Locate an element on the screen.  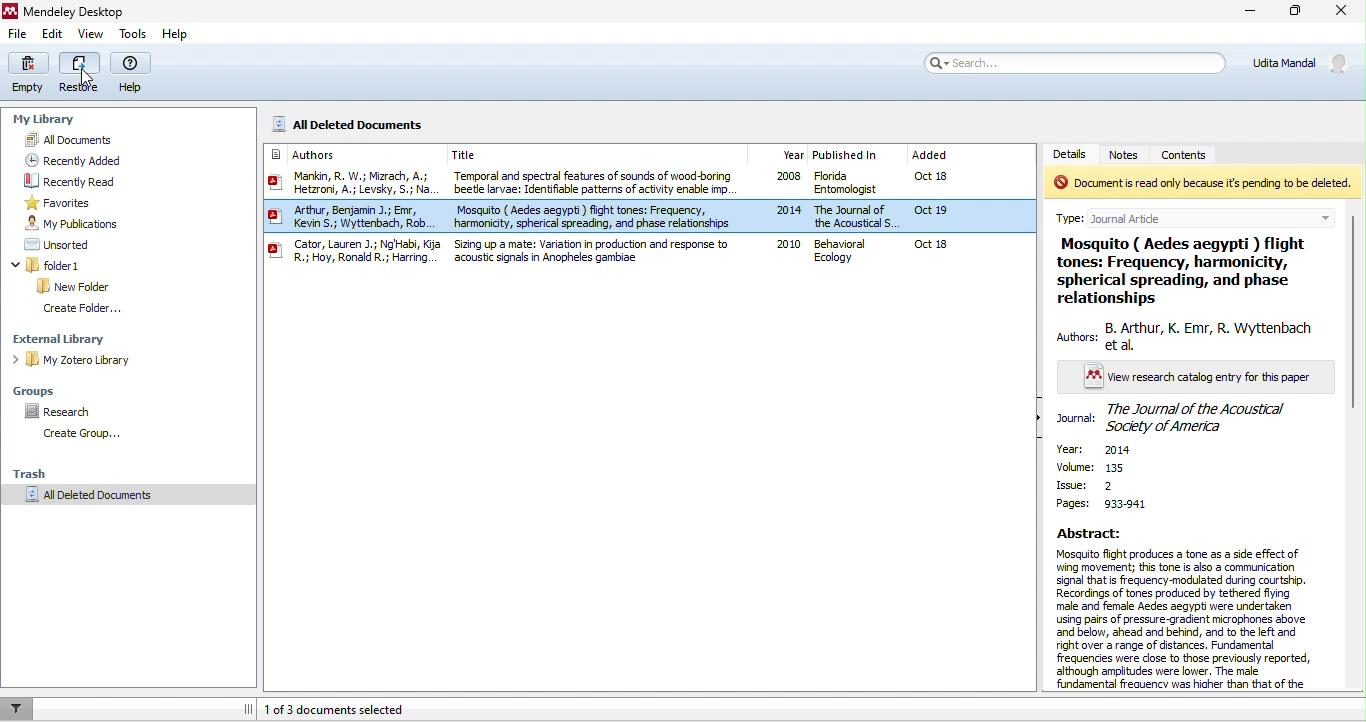
y, Mankn, R. W.; Mazrach, A;
© retmon, A; Levey, SNe
| Artur, Berjomn J. Ene,
| evn; Wyttenbach, Rob.
Cater, Lauren 3. Nghahi, Kia
LR; Hoy, Ronald R.; Harrng. is located at coordinates (353, 221).